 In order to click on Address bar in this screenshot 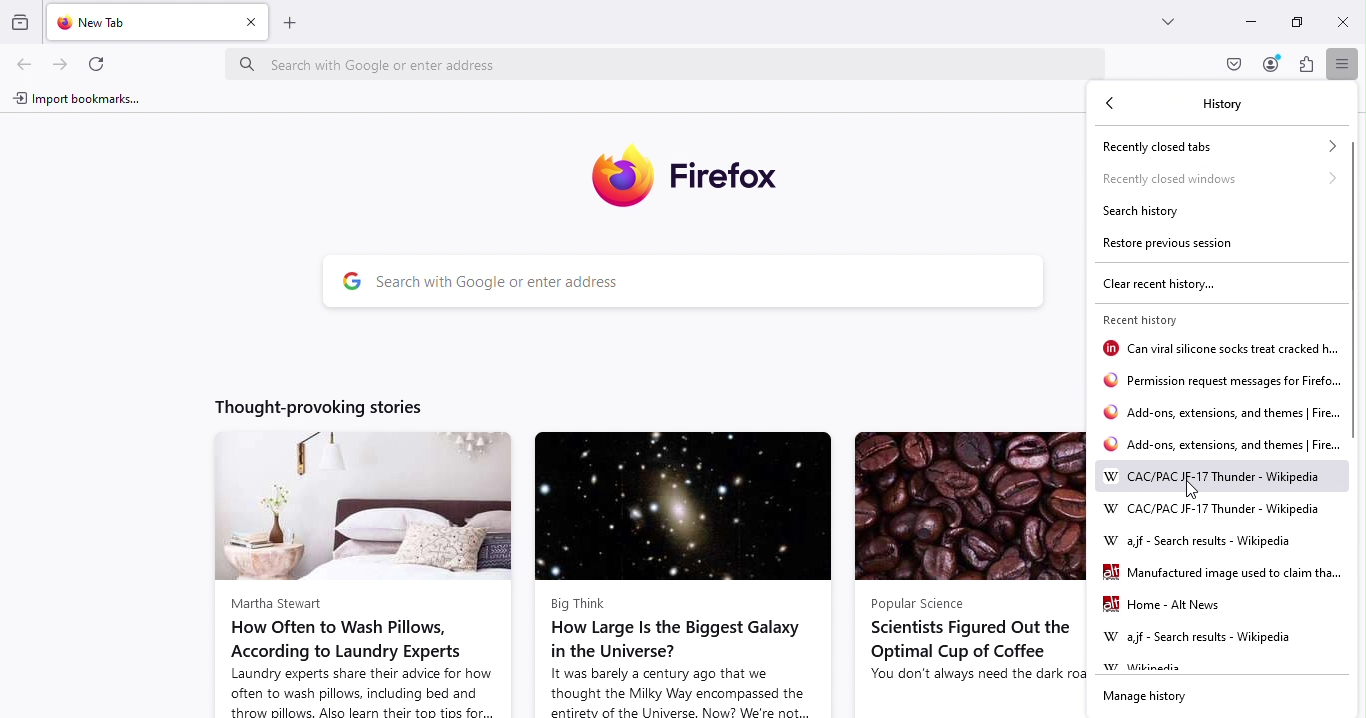, I will do `click(674, 63)`.